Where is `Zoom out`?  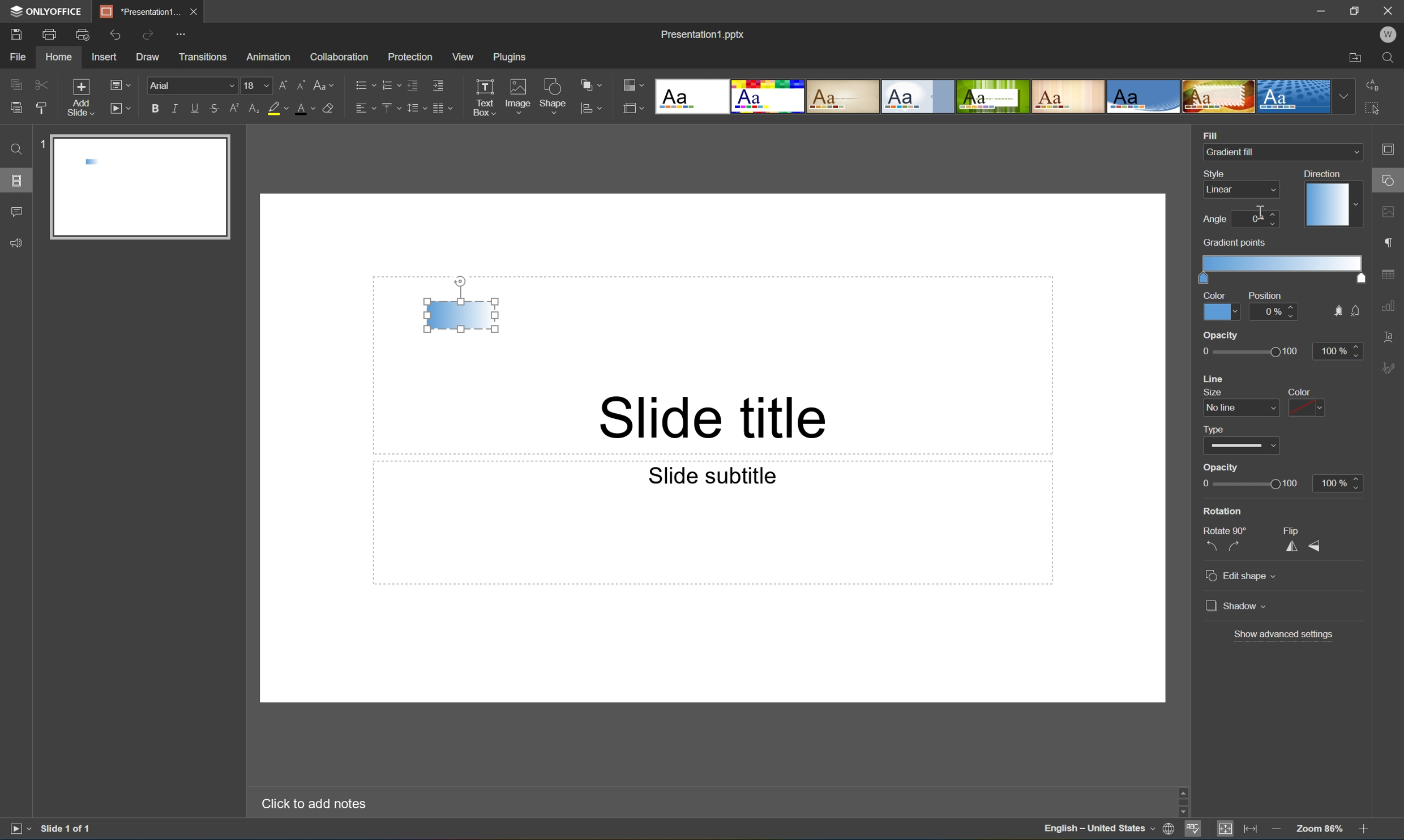 Zoom out is located at coordinates (1275, 829).